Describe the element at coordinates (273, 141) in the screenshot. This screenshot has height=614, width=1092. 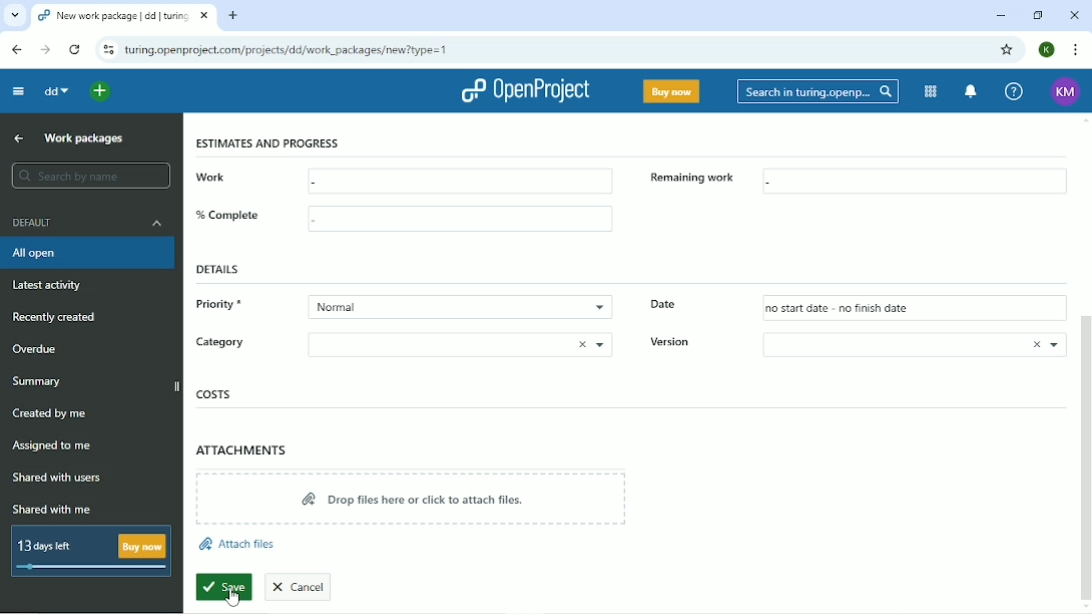
I see `estimates and progress` at that location.